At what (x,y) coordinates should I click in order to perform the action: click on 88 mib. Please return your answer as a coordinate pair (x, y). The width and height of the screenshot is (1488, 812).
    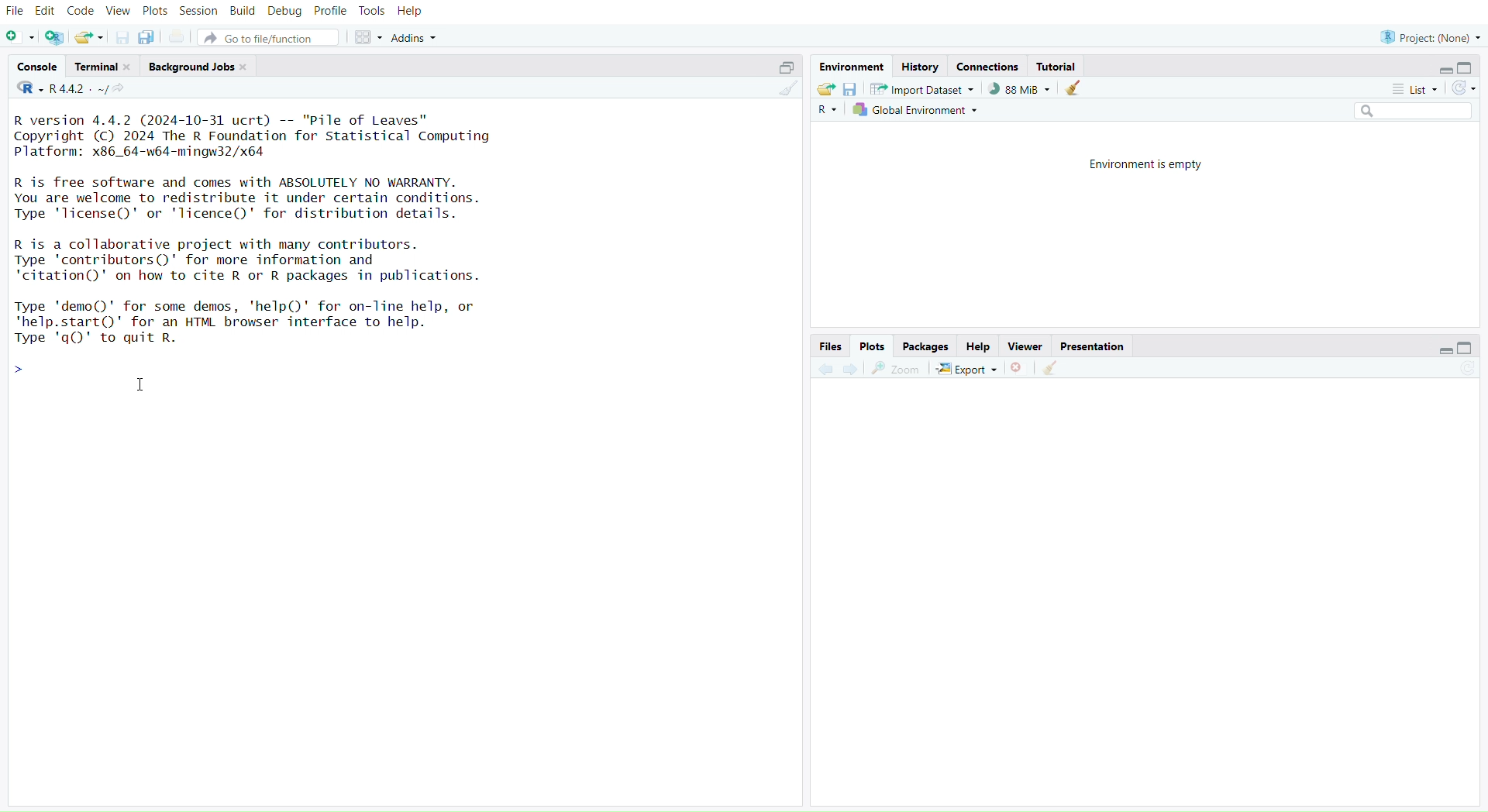
    Looking at the image, I should click on (1019, 89).